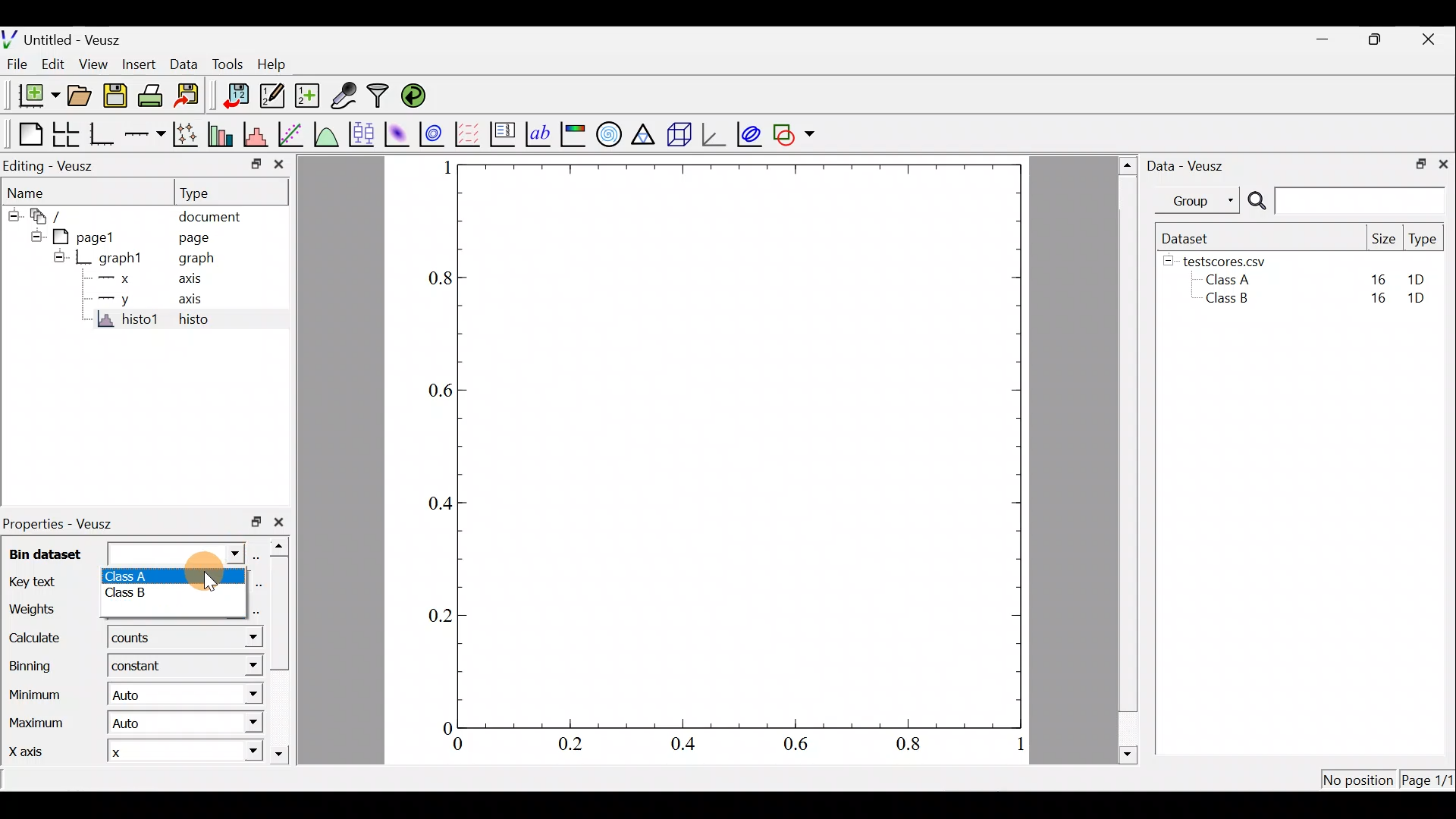  What do you see at coordinates (281, 652) in the screenshot?
I see `scroll bar` at bounding box center [281, 652].